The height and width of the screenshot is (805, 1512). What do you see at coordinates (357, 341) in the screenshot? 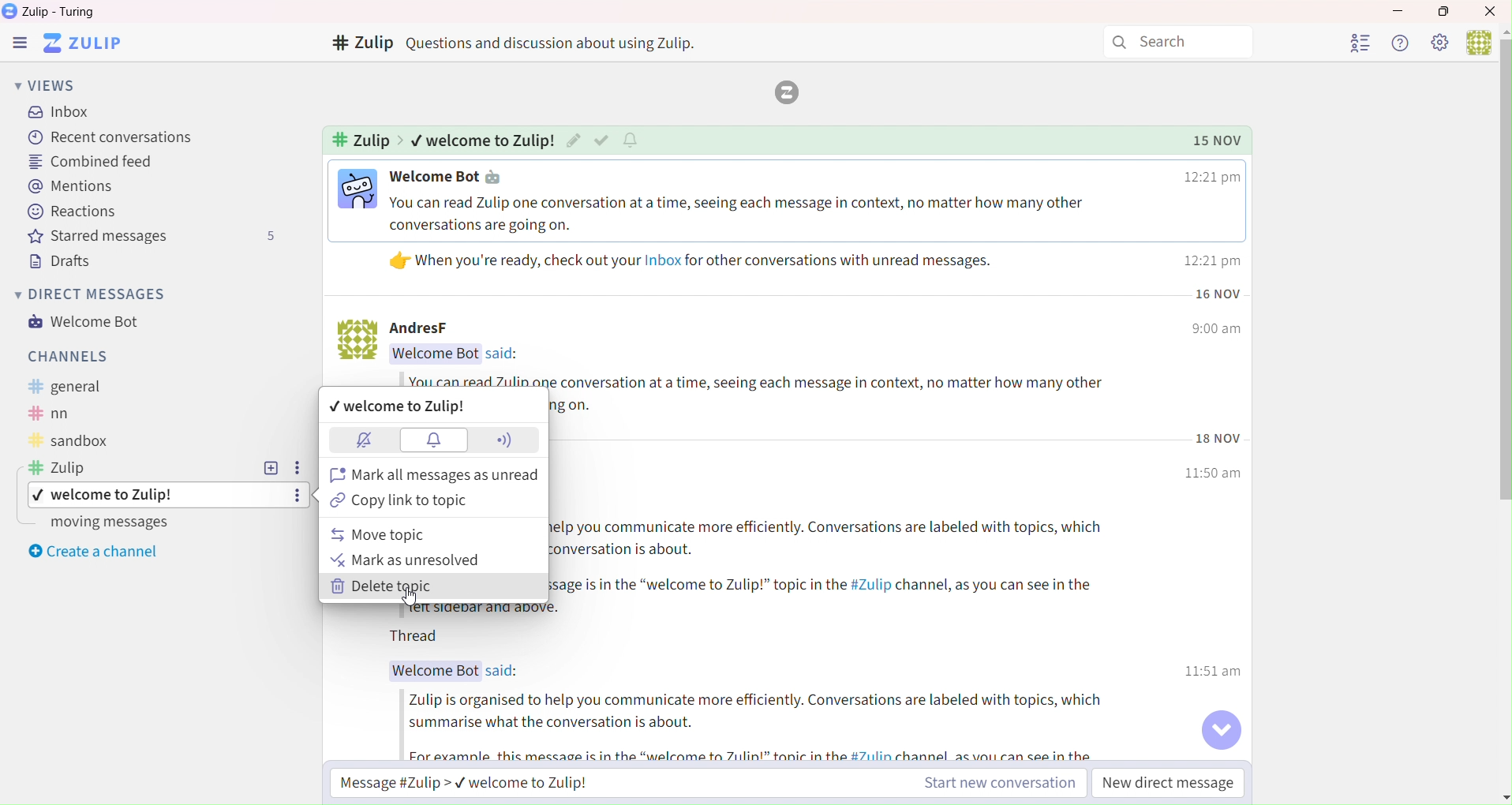
I see `Image` at bounding box center [357, 341].